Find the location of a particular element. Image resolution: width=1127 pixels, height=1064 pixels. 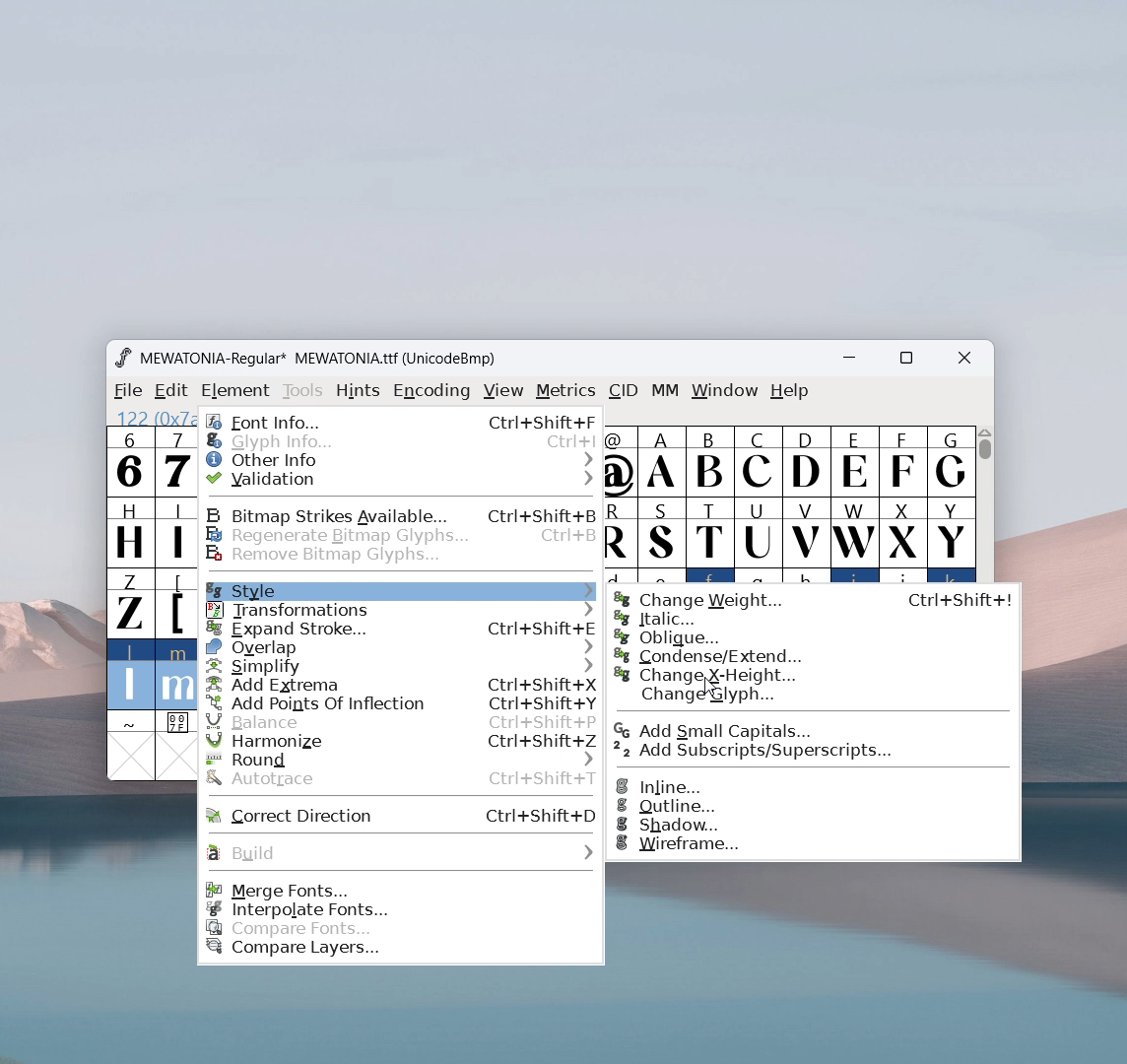

Z is located at coordinates (129, 602).